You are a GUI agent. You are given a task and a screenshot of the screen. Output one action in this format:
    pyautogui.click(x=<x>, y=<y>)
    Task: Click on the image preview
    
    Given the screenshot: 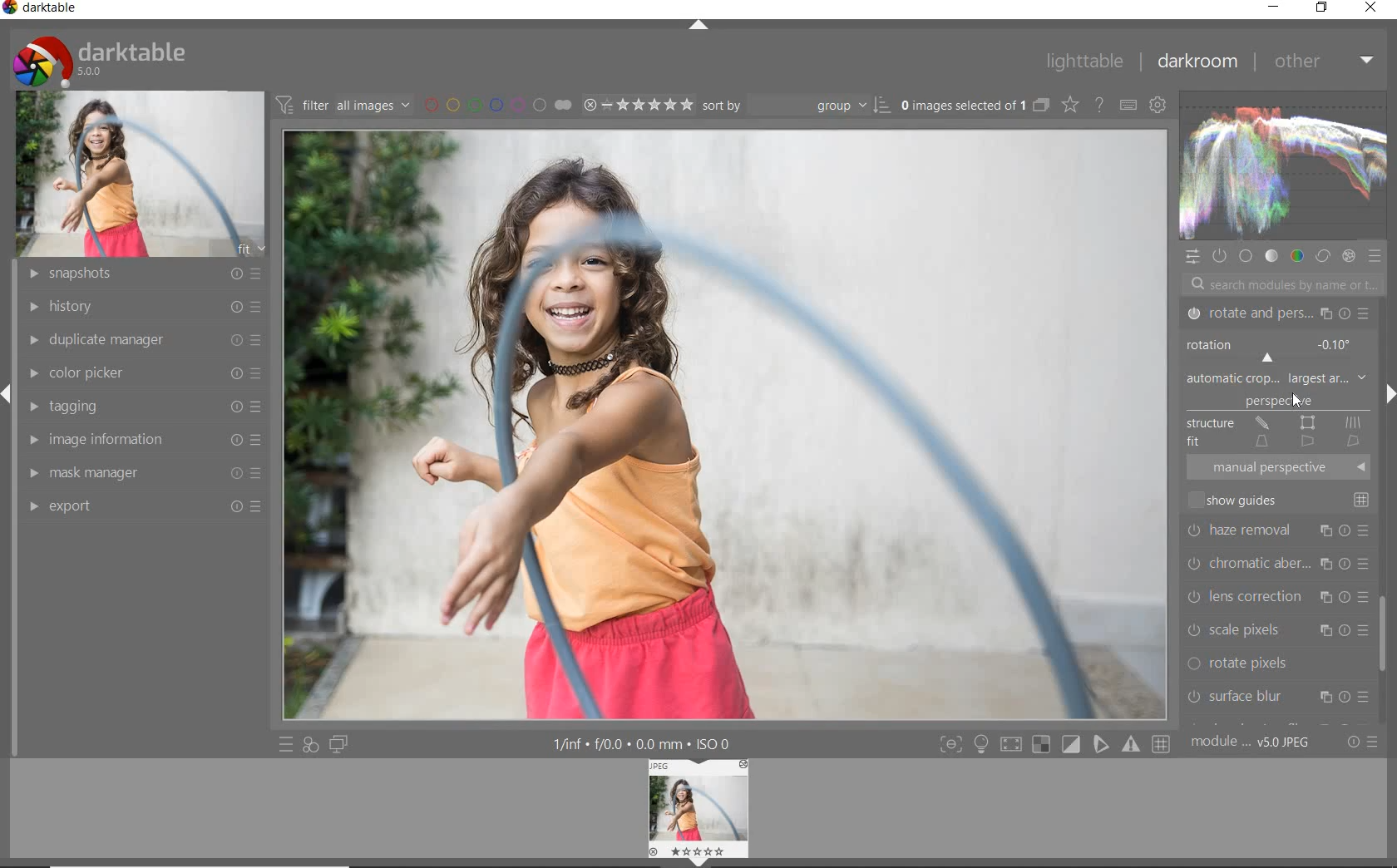 What is the action you would take?
    pyautogui.click(x=701, y=813)
    